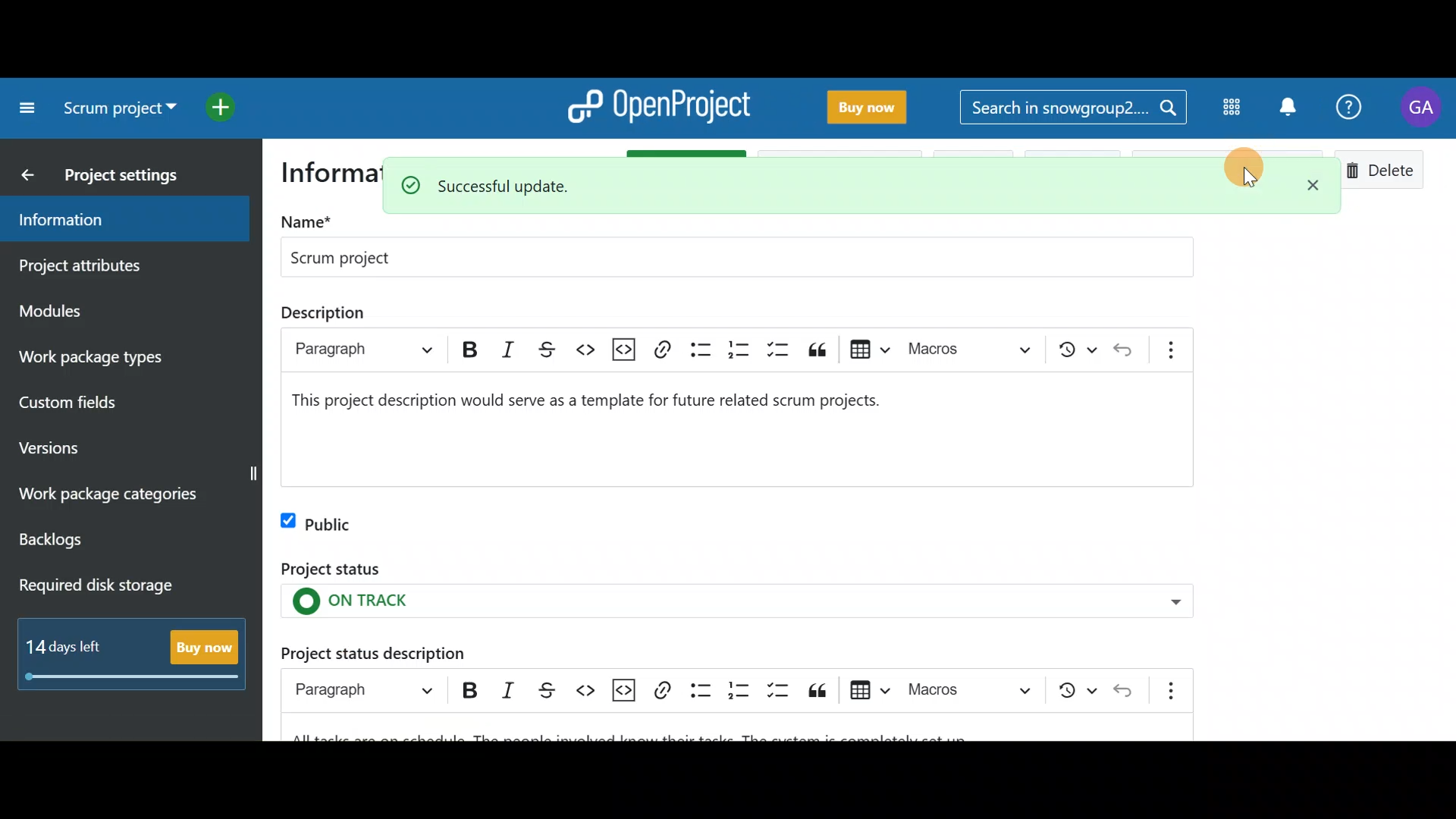 The width and height of the screenshot is (1456, 819). Describe the element at coordinates (739, 349) in the screenshot. I see `numbered list` at that location.